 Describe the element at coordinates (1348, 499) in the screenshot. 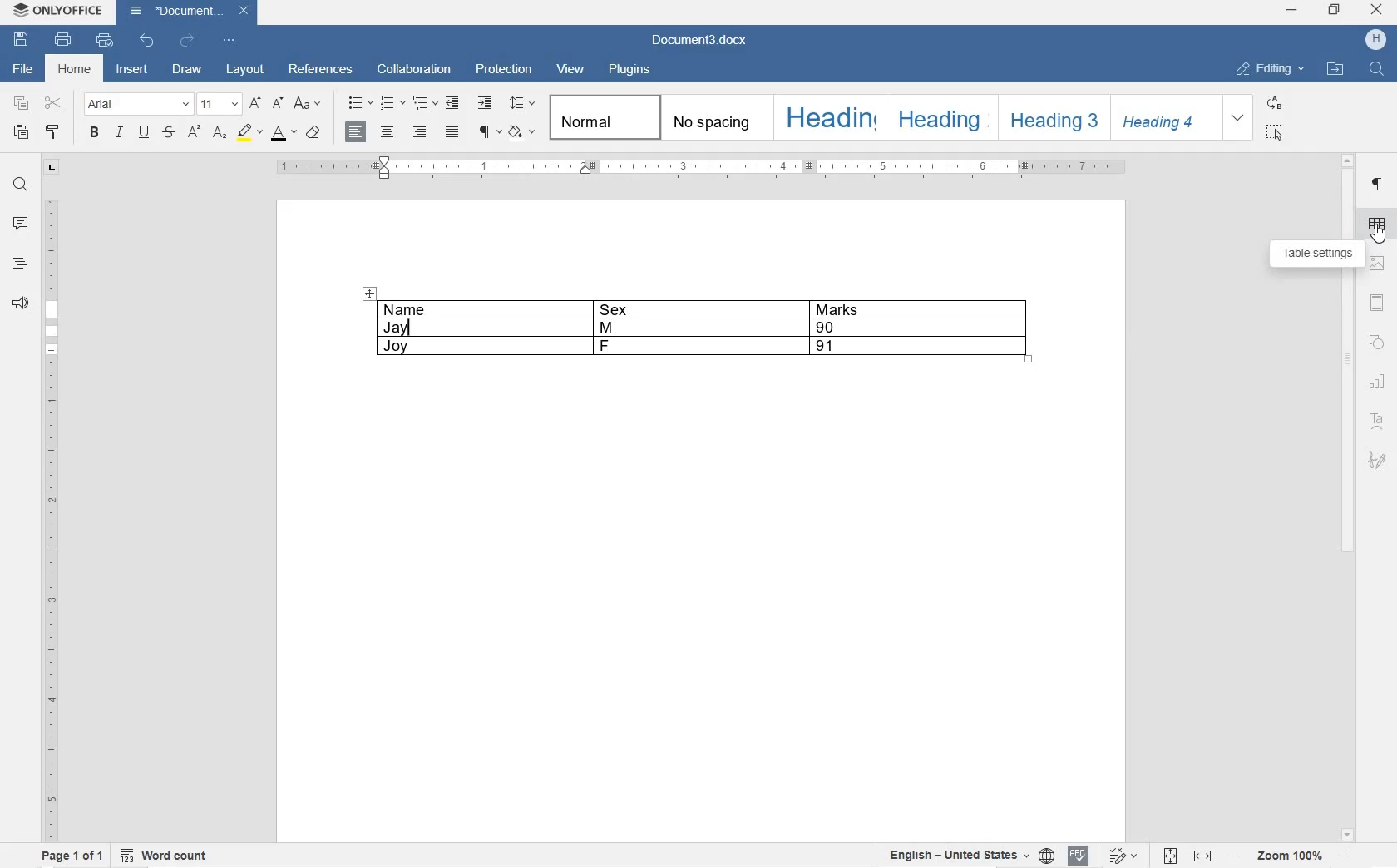

I see `RULER` at that location.